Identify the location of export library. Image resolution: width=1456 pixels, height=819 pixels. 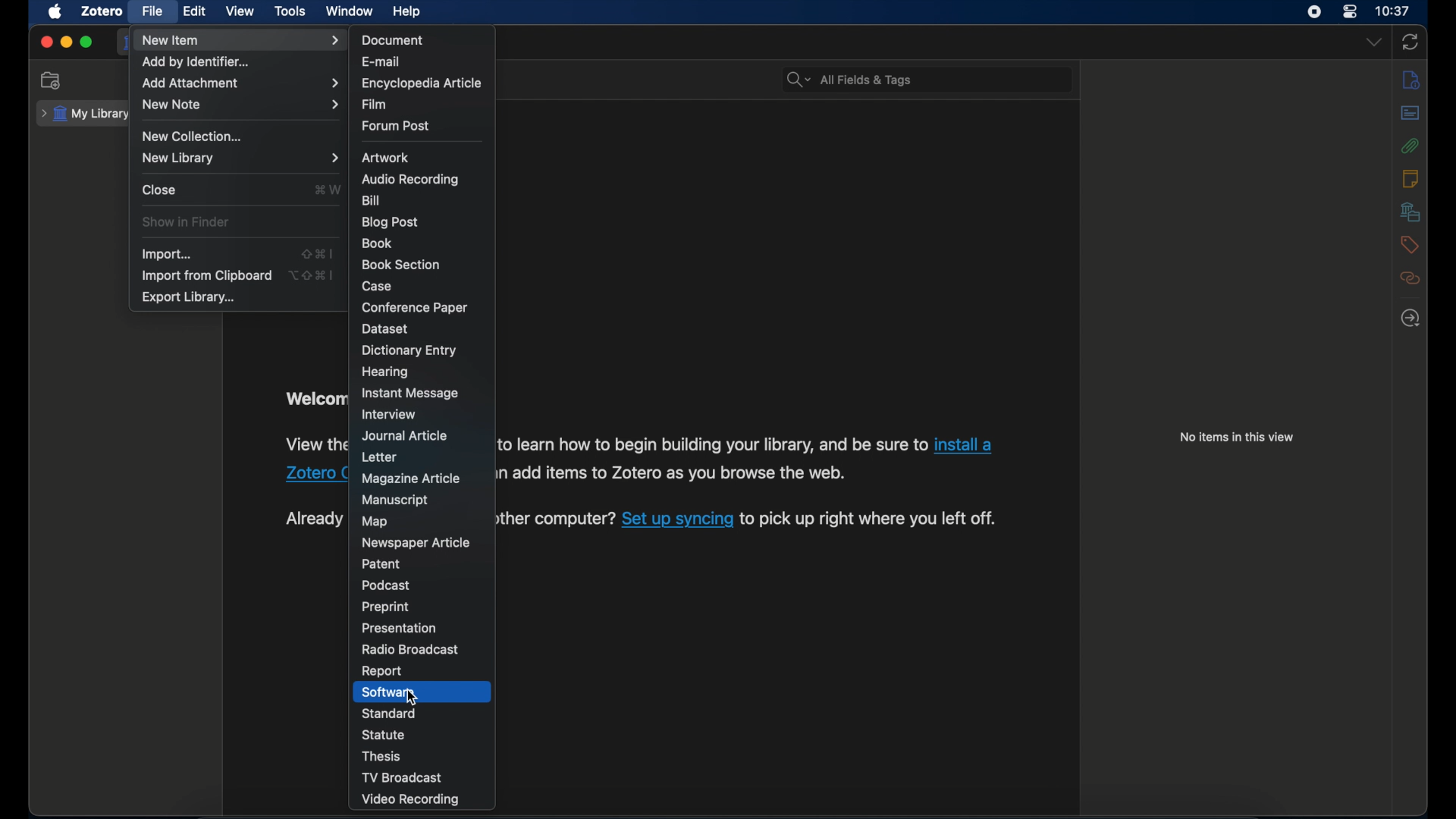
(188, 297).